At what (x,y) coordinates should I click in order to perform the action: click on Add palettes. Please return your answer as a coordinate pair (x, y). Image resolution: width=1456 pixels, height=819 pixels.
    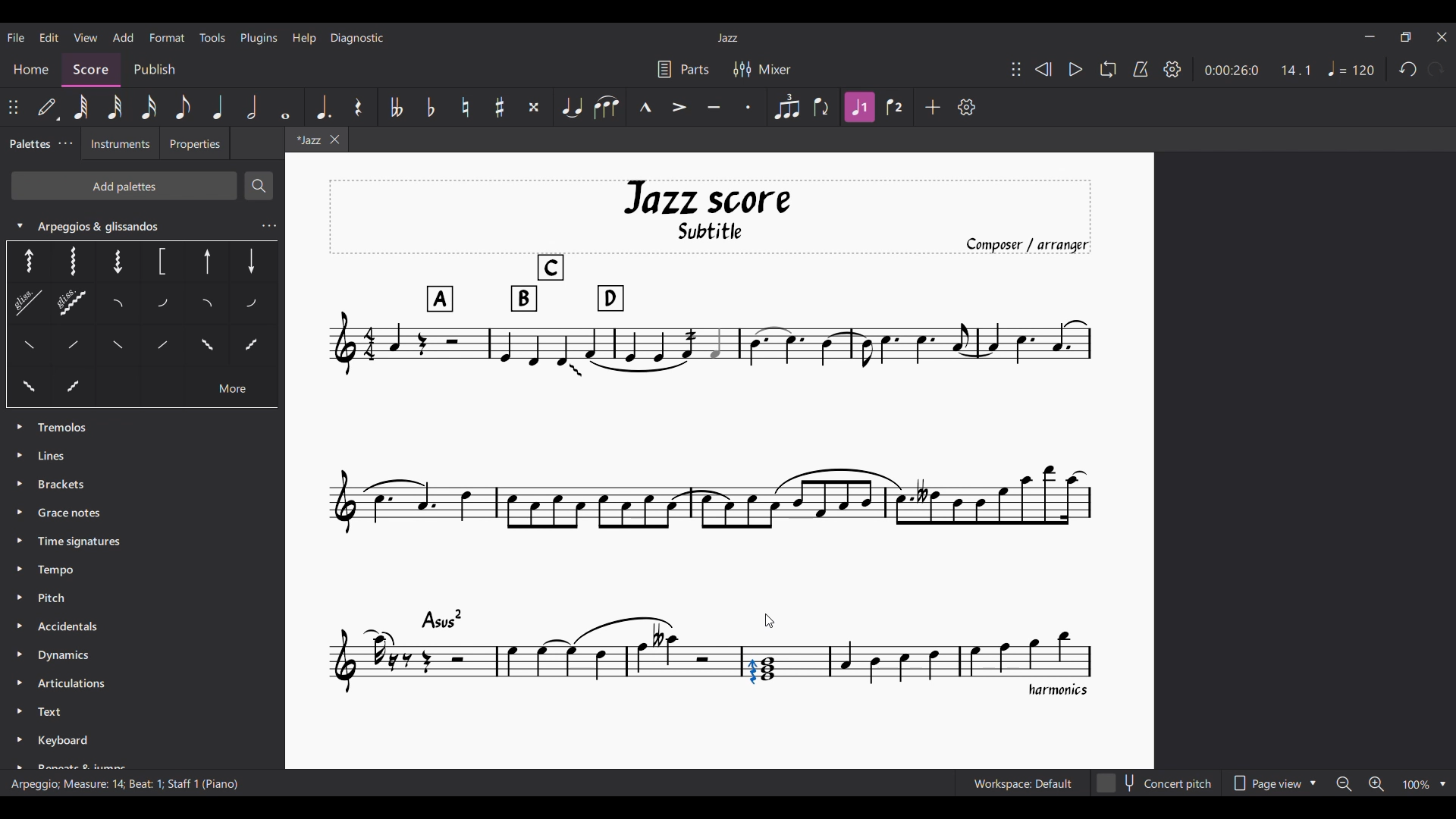
    Looking at the image, I should click on (124, 186).